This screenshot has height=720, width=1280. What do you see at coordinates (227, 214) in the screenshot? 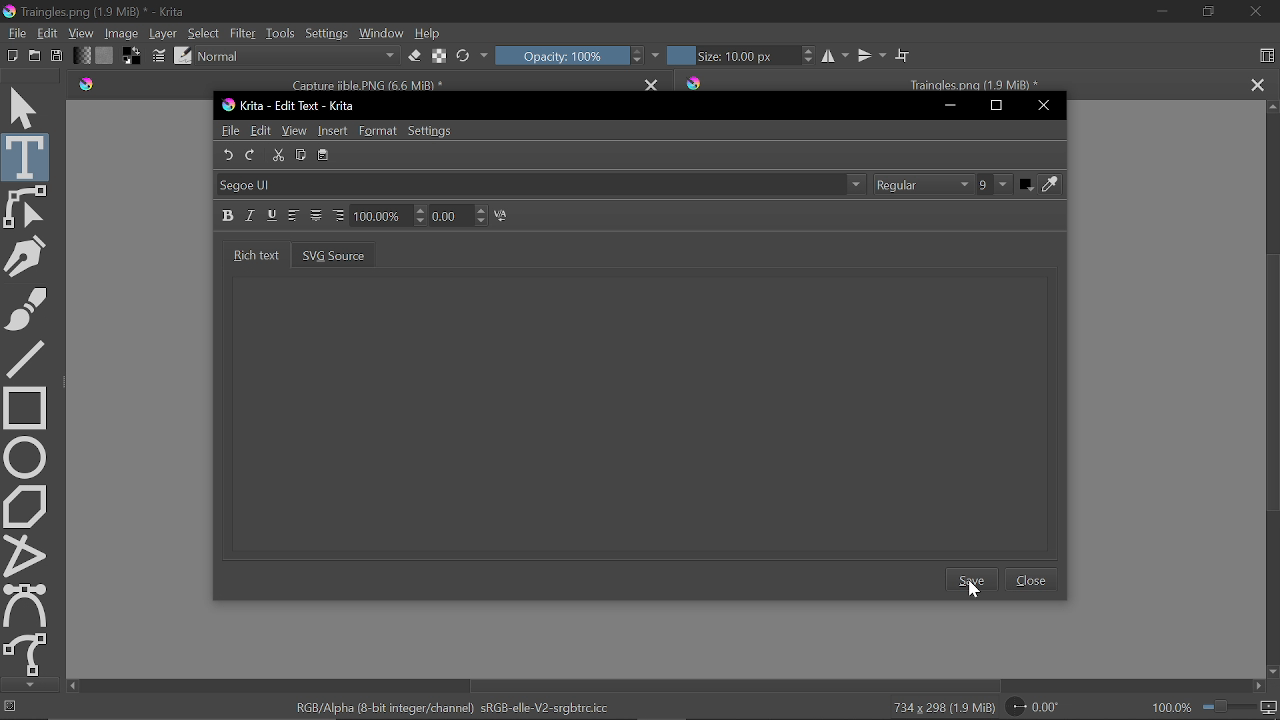
I see `Bold` at bounding box center [227, 214].